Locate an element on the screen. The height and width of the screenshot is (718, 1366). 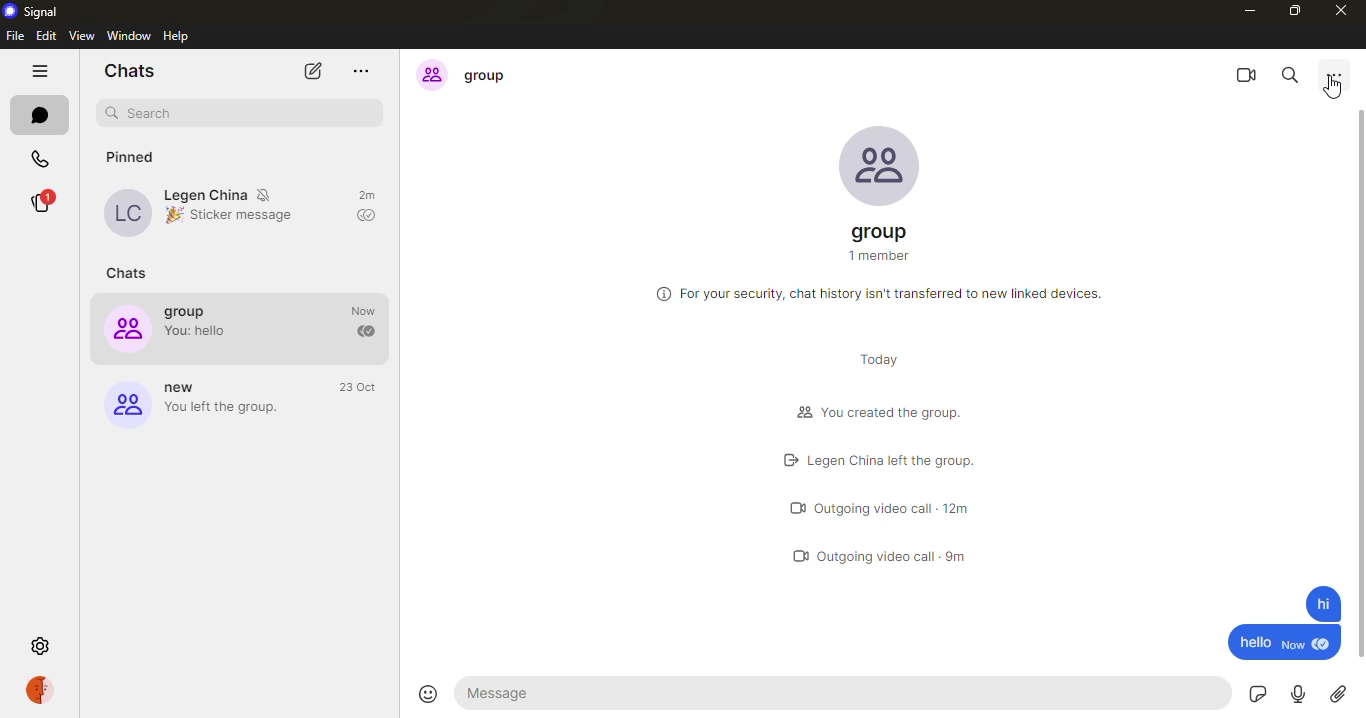
view is located at coordinates (83, 35).